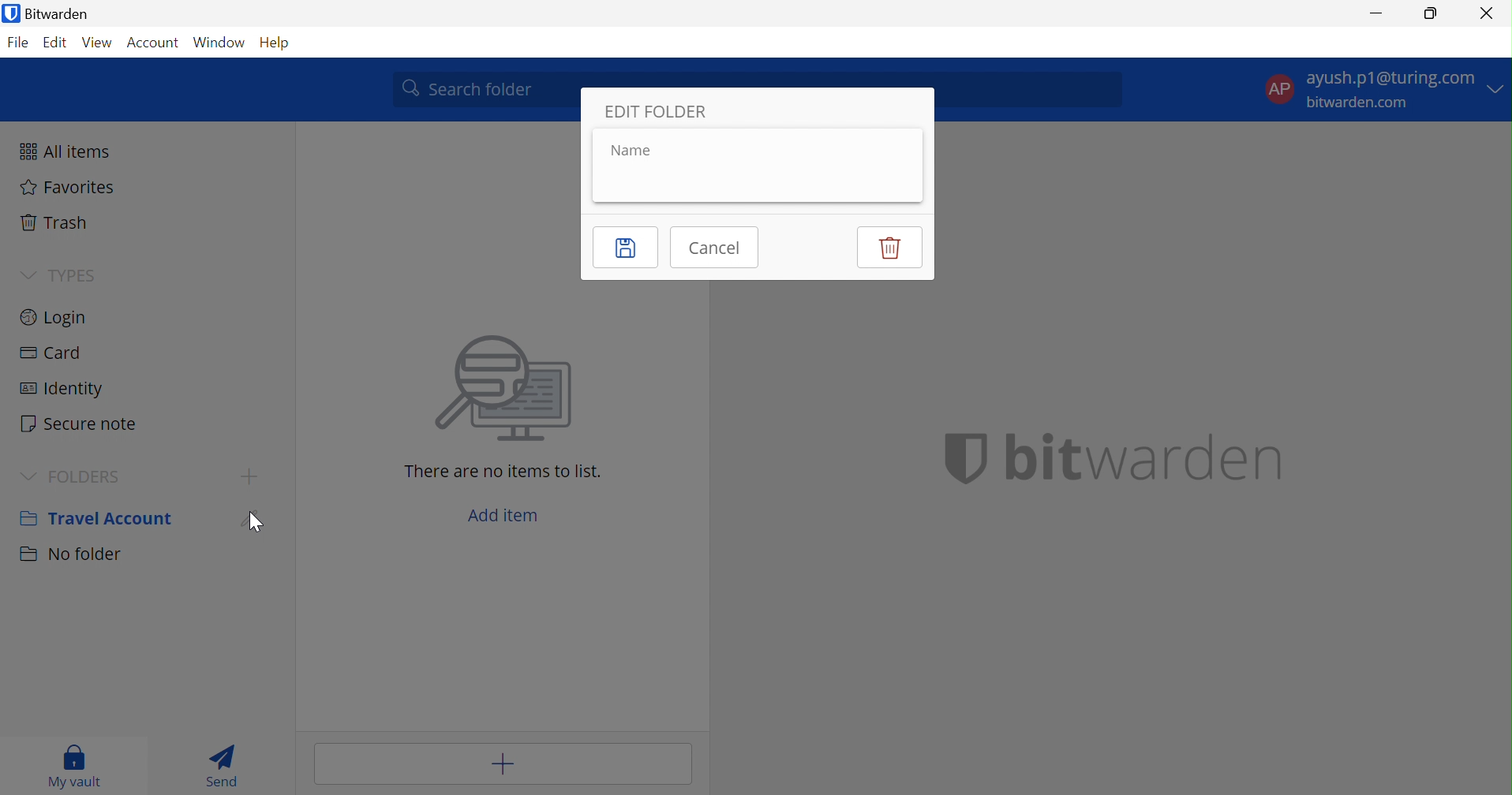 Image resolution: width=1512 pixels, height=795 pixels. What do you see at coordinates (56, 44) in the screenshot?
I see `Edit` at bounding box center [56, 44].